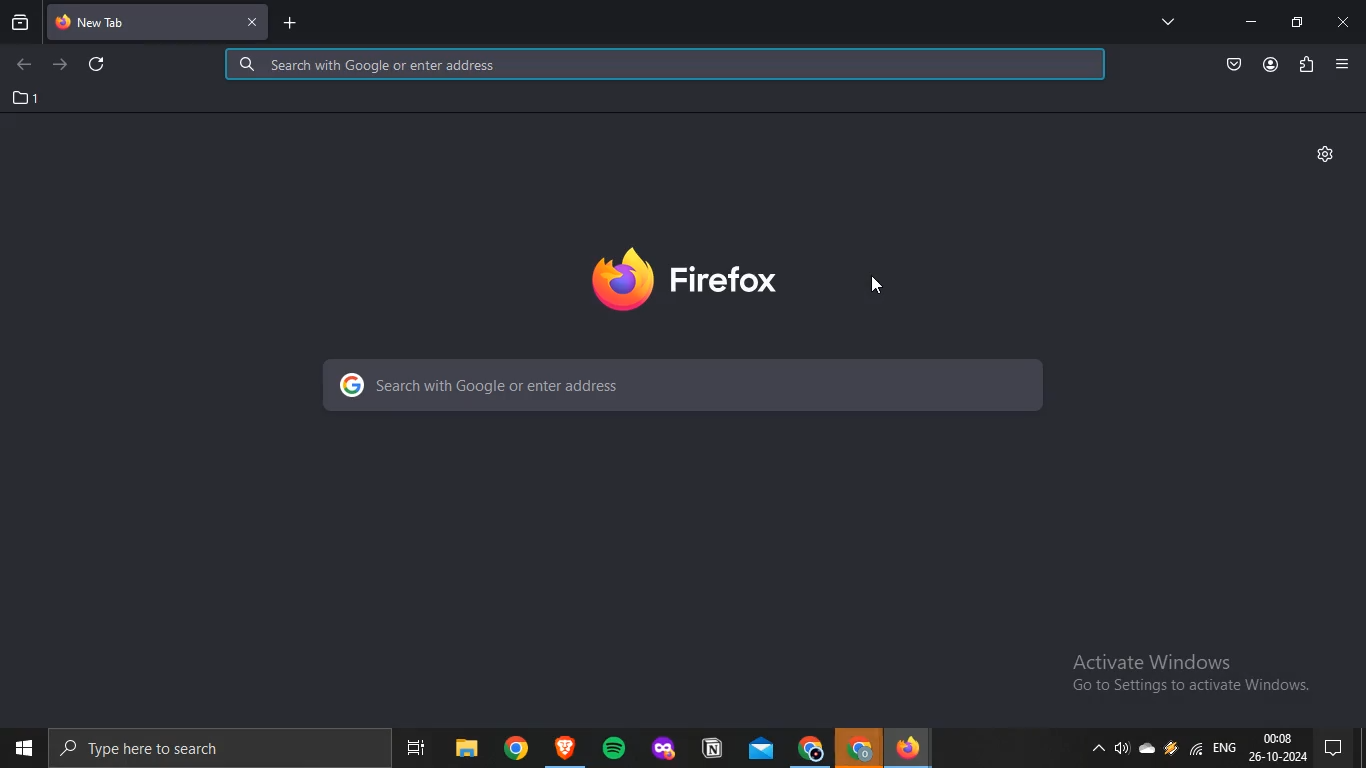 This screenshot has height=768, width=1366. Describe the element at coordinates (63, 66) in the screenshot. I see `forward` at that location.